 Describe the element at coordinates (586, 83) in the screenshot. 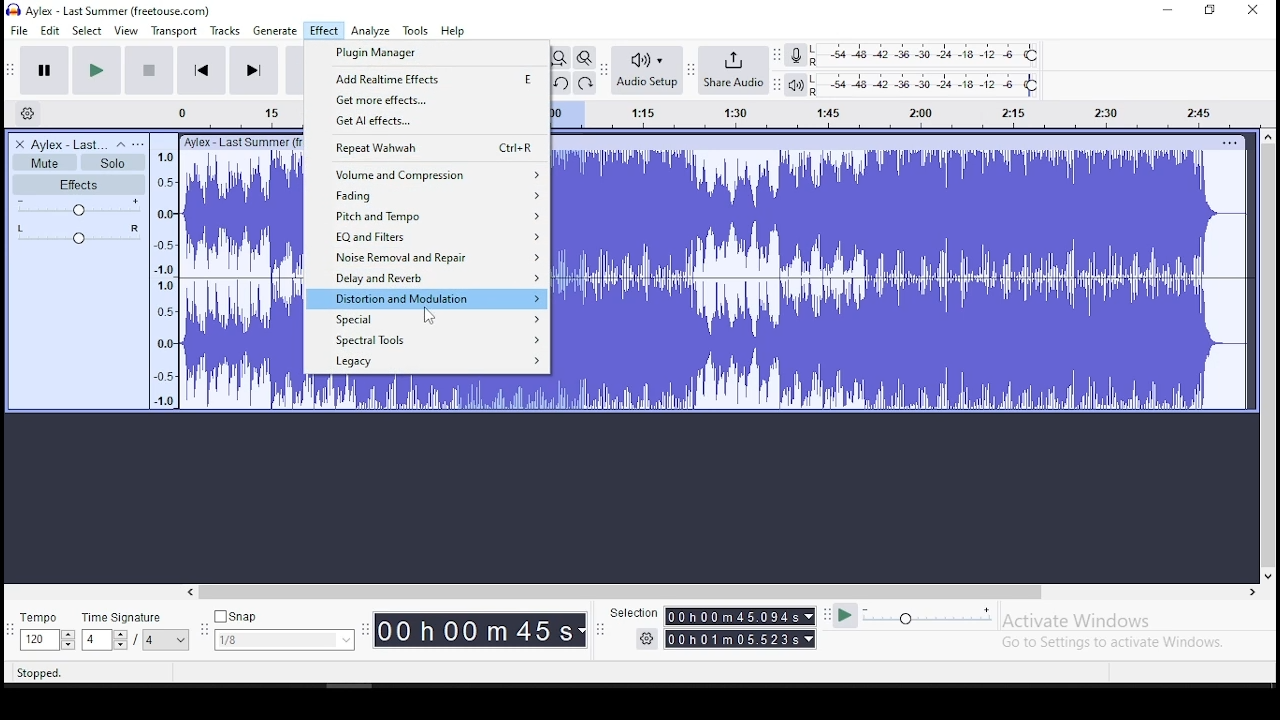

I see `redo` at that location.